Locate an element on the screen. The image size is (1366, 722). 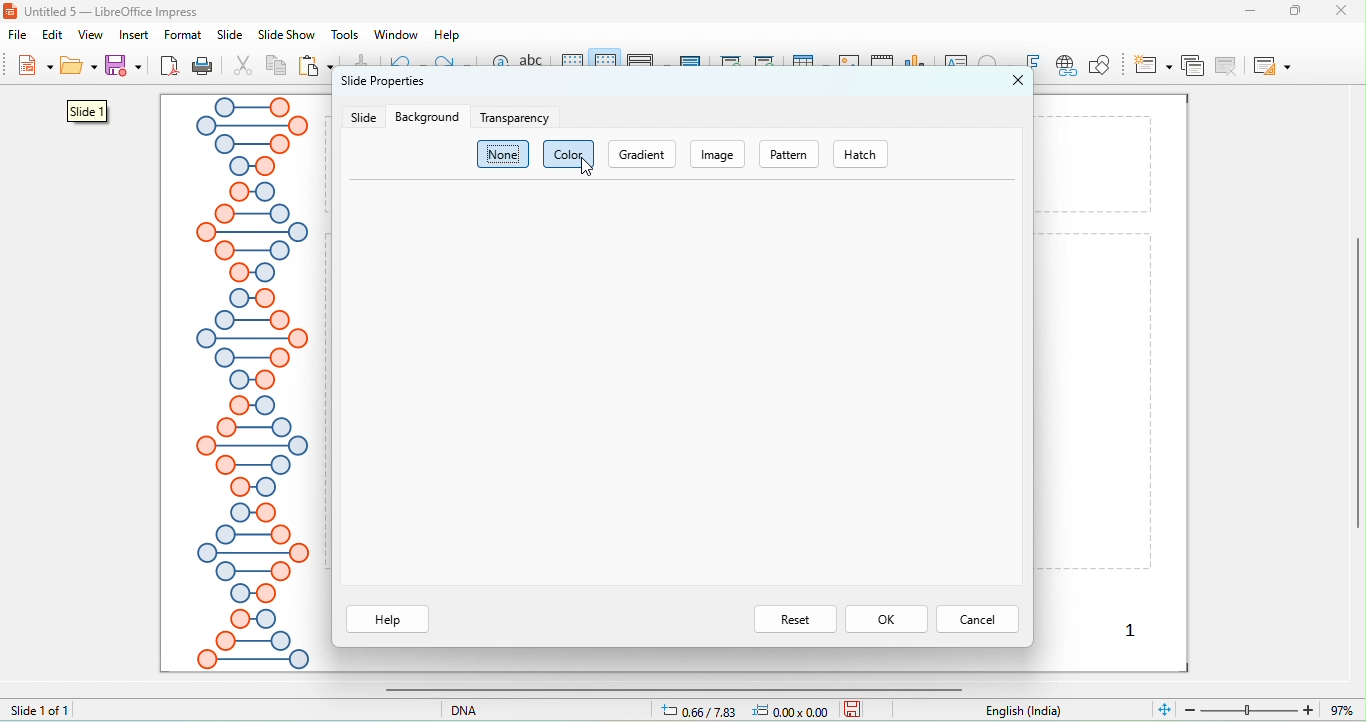
slide is located at coordinates (90, 112).